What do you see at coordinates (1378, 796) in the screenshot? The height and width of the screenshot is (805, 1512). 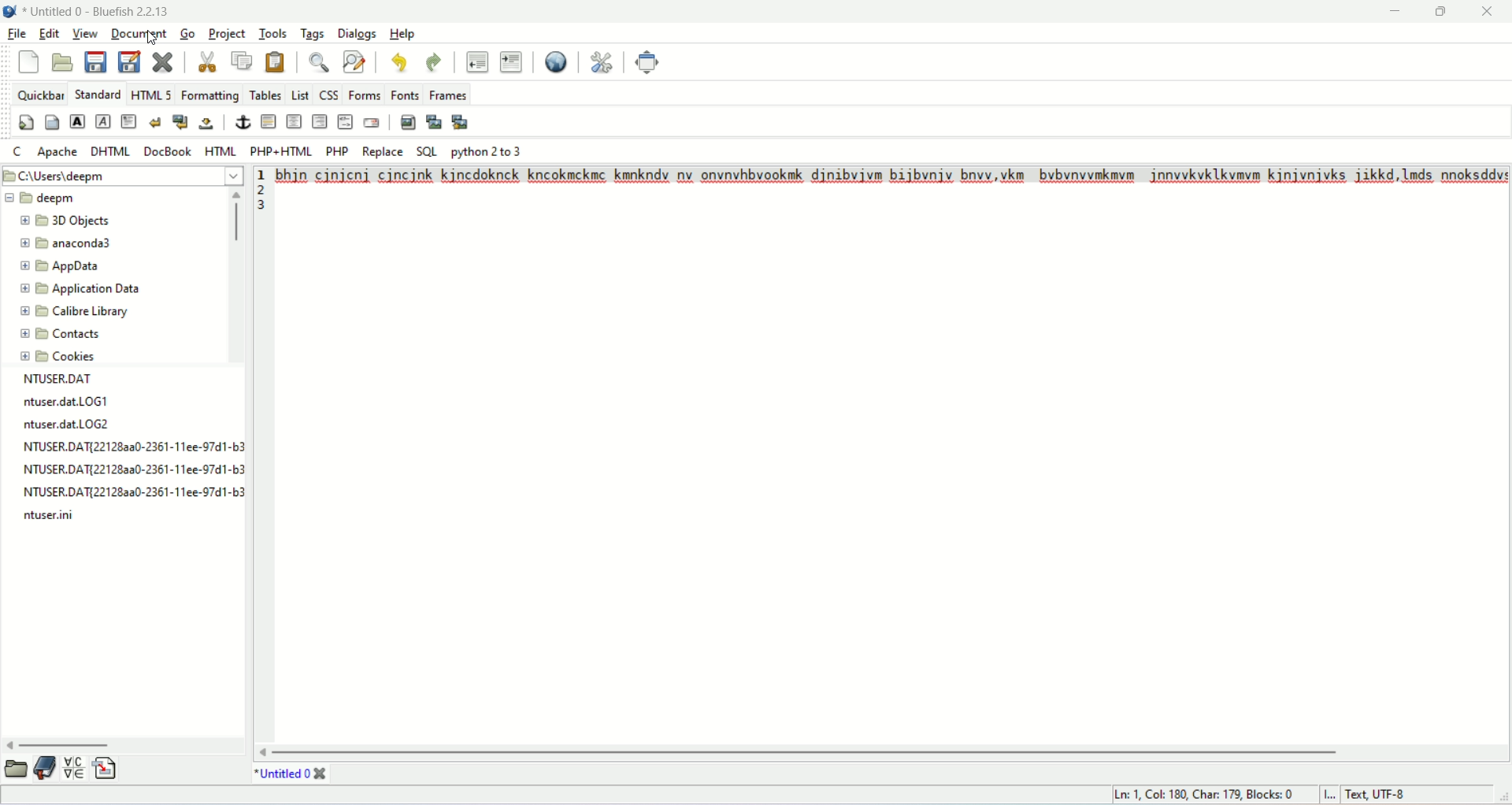 I see `text UTF-8` at bounding box center [1378, 796].